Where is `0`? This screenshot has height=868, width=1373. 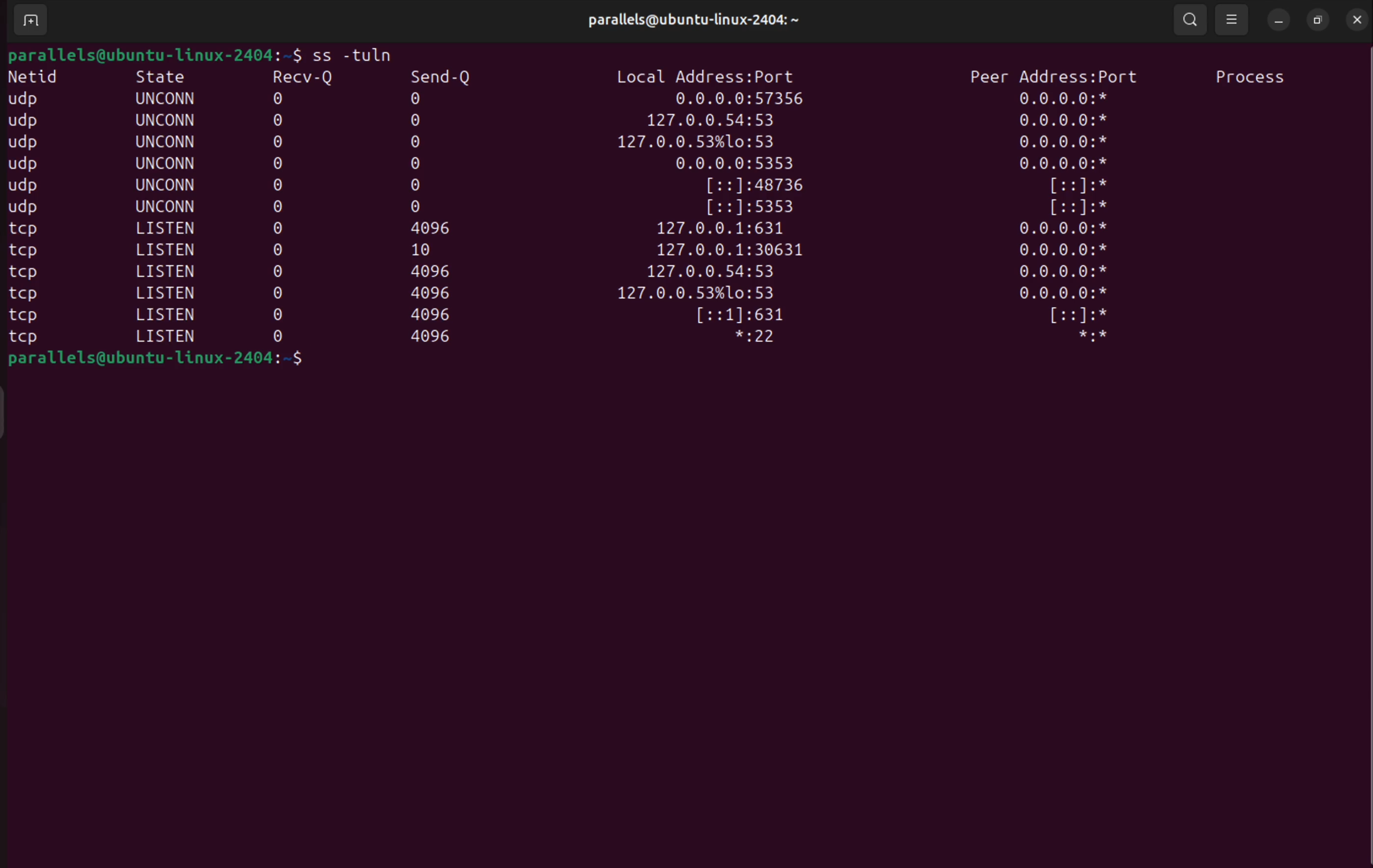 0 is located at coordinates (418, 120).